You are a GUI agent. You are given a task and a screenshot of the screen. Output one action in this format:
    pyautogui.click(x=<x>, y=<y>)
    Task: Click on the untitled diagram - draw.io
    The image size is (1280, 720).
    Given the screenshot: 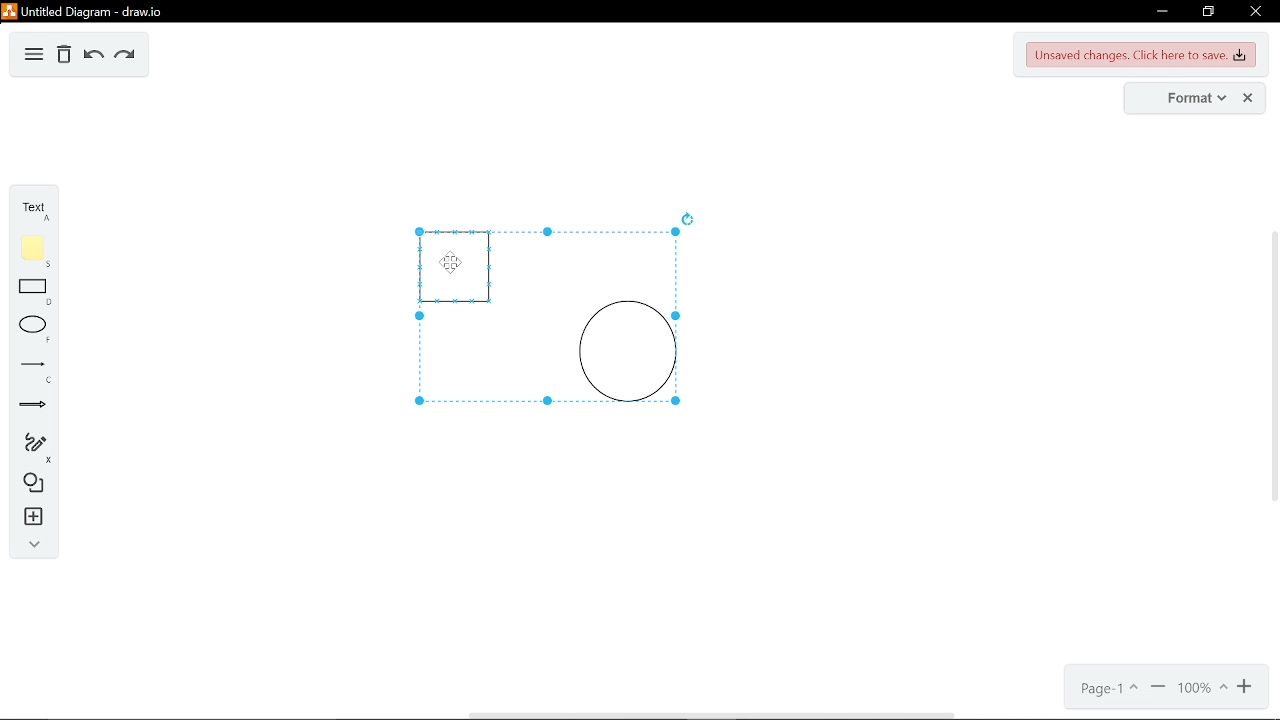 What is the action you would take?
    pyautogui.click(x=84, y=10)
    